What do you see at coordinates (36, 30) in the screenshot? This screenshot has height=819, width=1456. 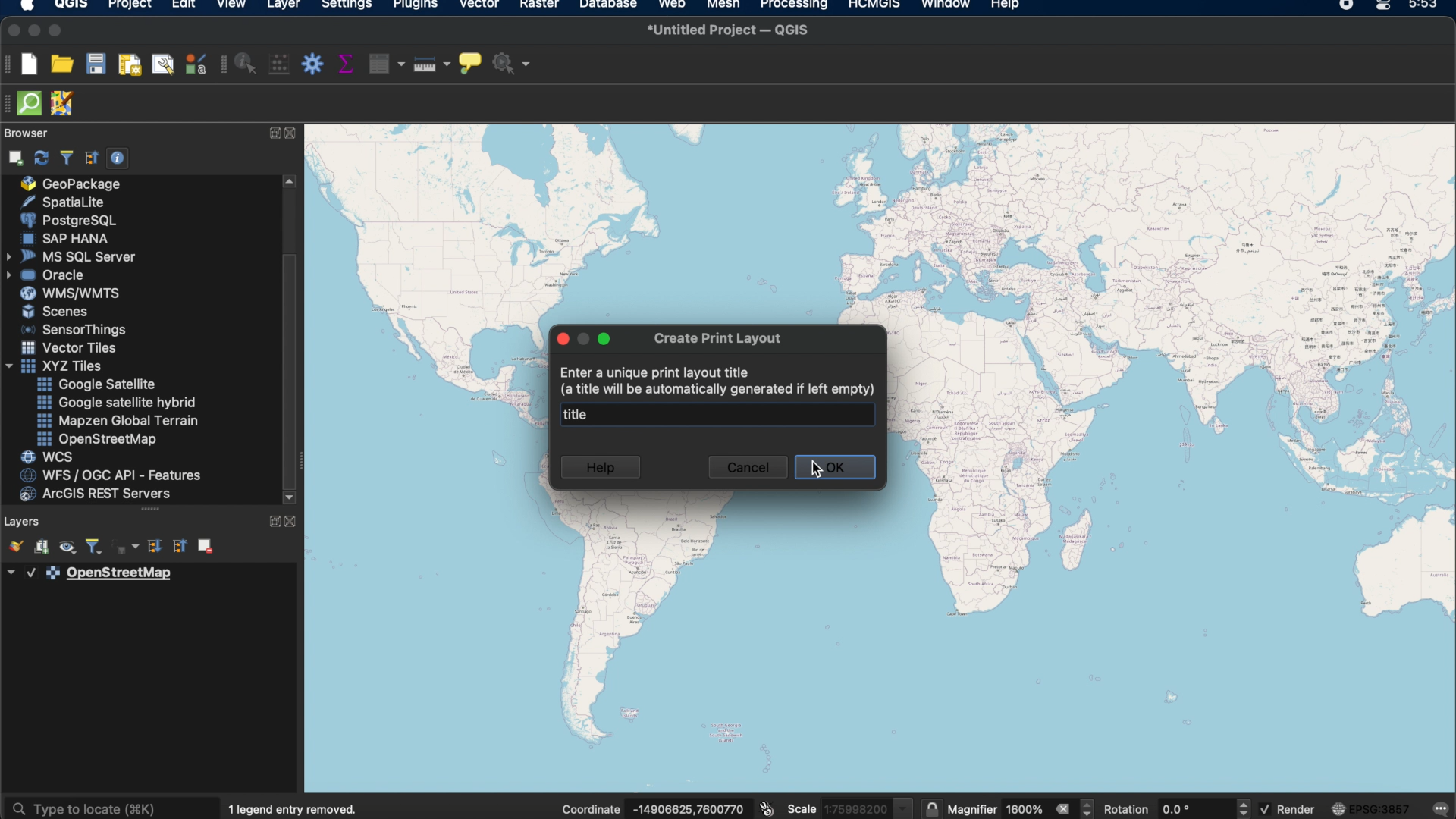 I see `minimize` at bounding box center [36, 30].